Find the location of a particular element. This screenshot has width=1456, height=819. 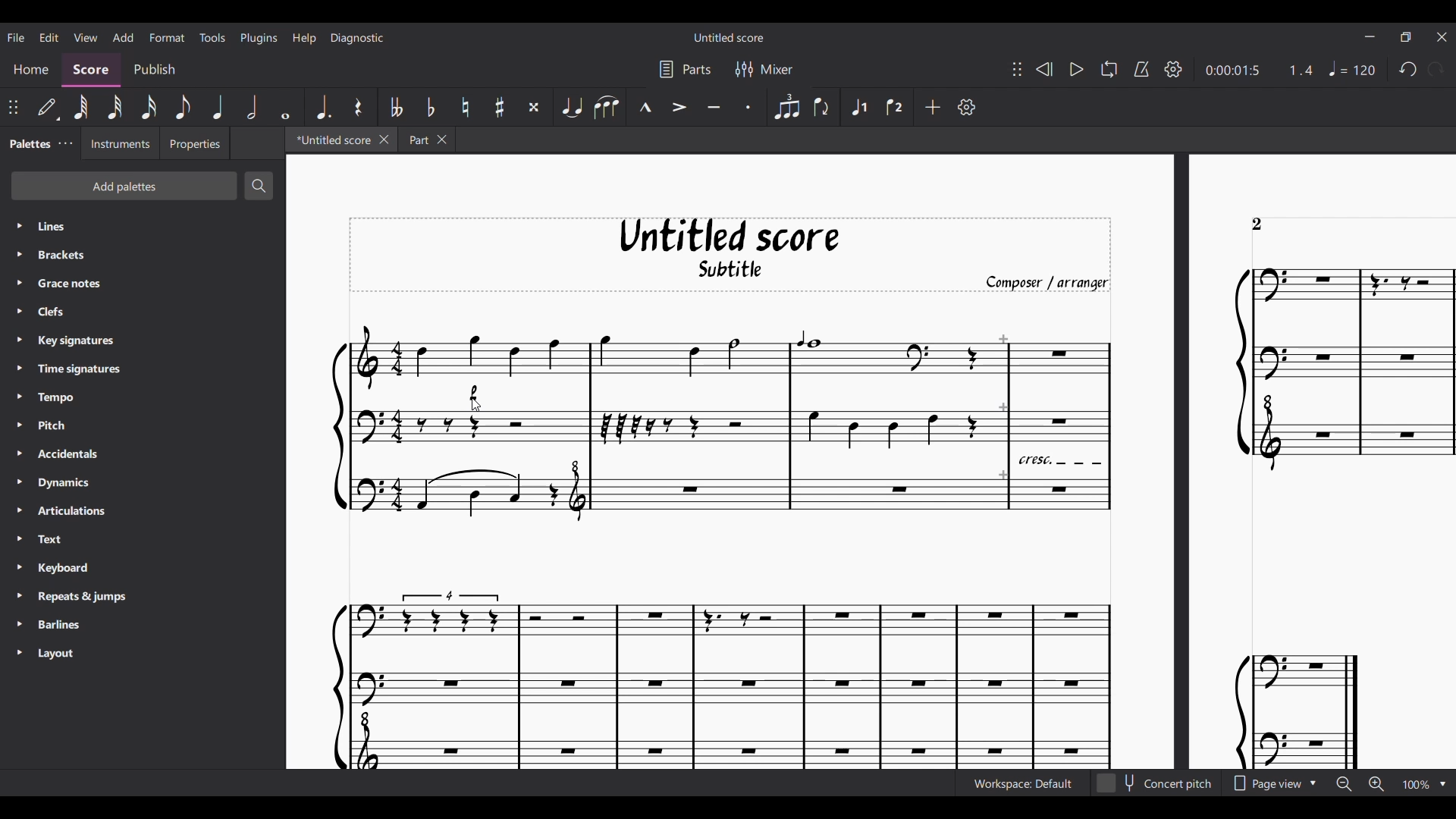

Add menu is located at coordinates (123, 37).